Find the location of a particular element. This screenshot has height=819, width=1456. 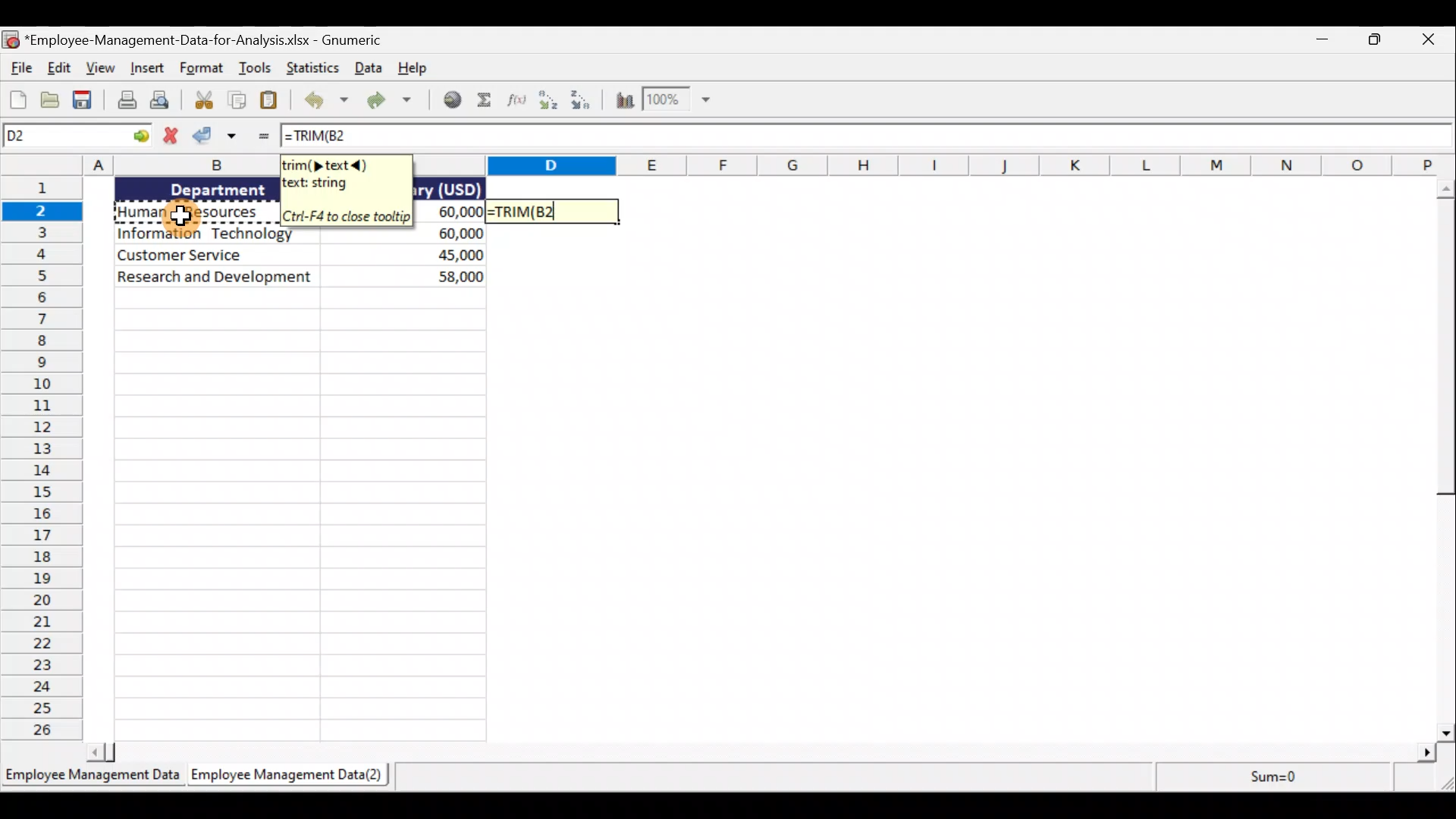

Minimise is located at coordinates (1320, 42).